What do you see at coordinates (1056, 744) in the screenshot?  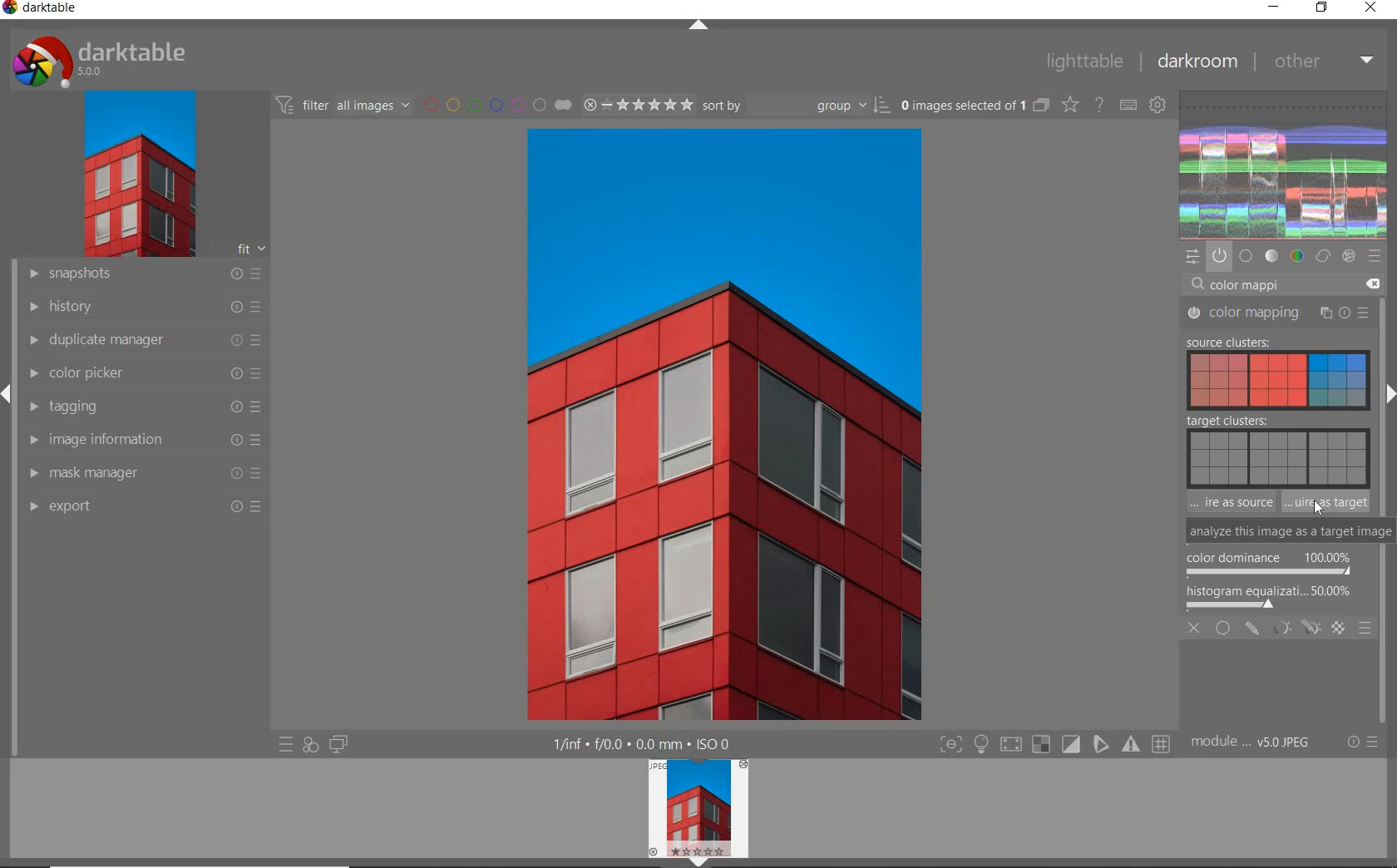 I see `toggle modes` at bounding box center [1056, 744].